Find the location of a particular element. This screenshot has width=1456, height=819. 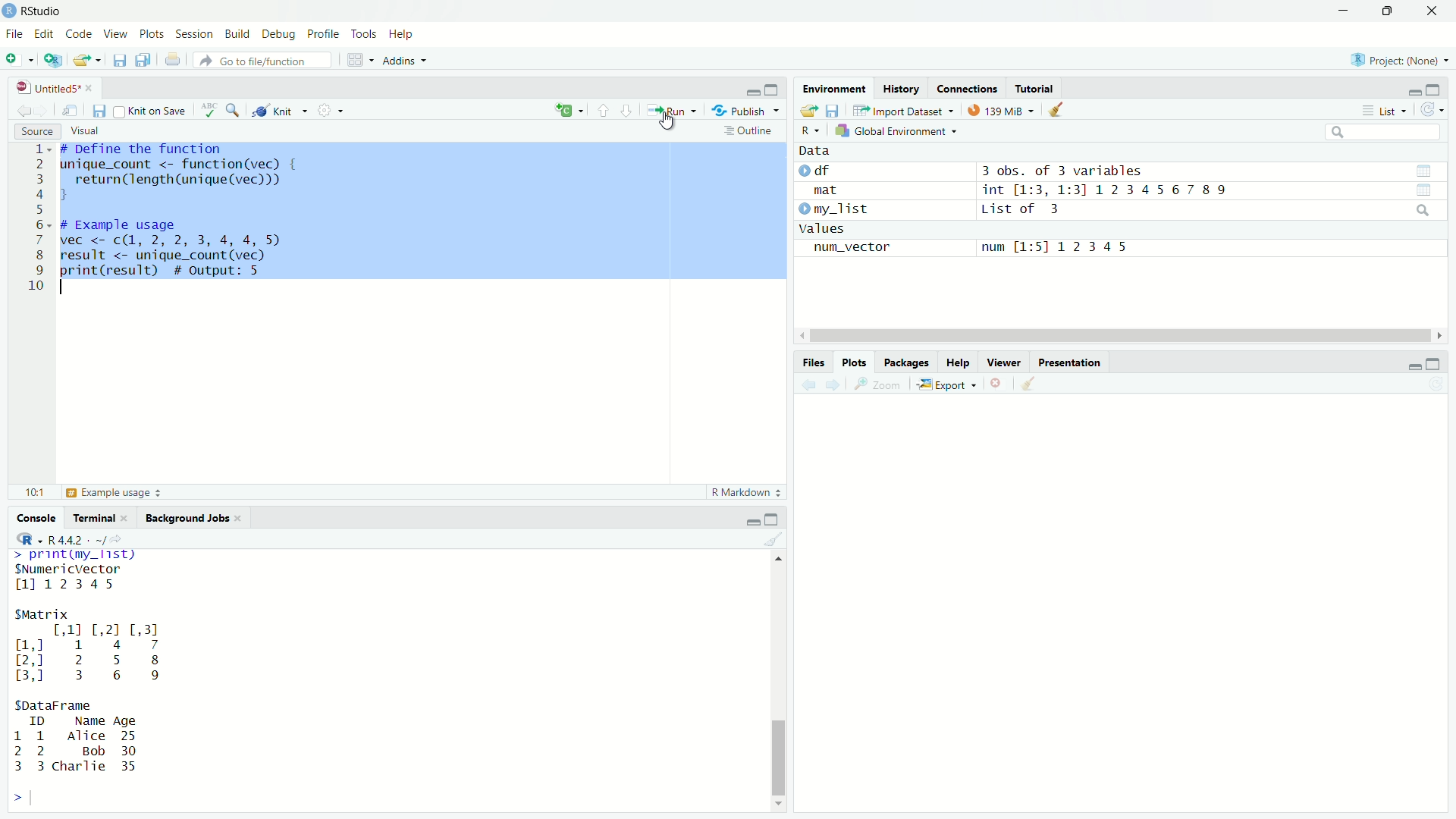

knit is located at coordinates (280, 111).